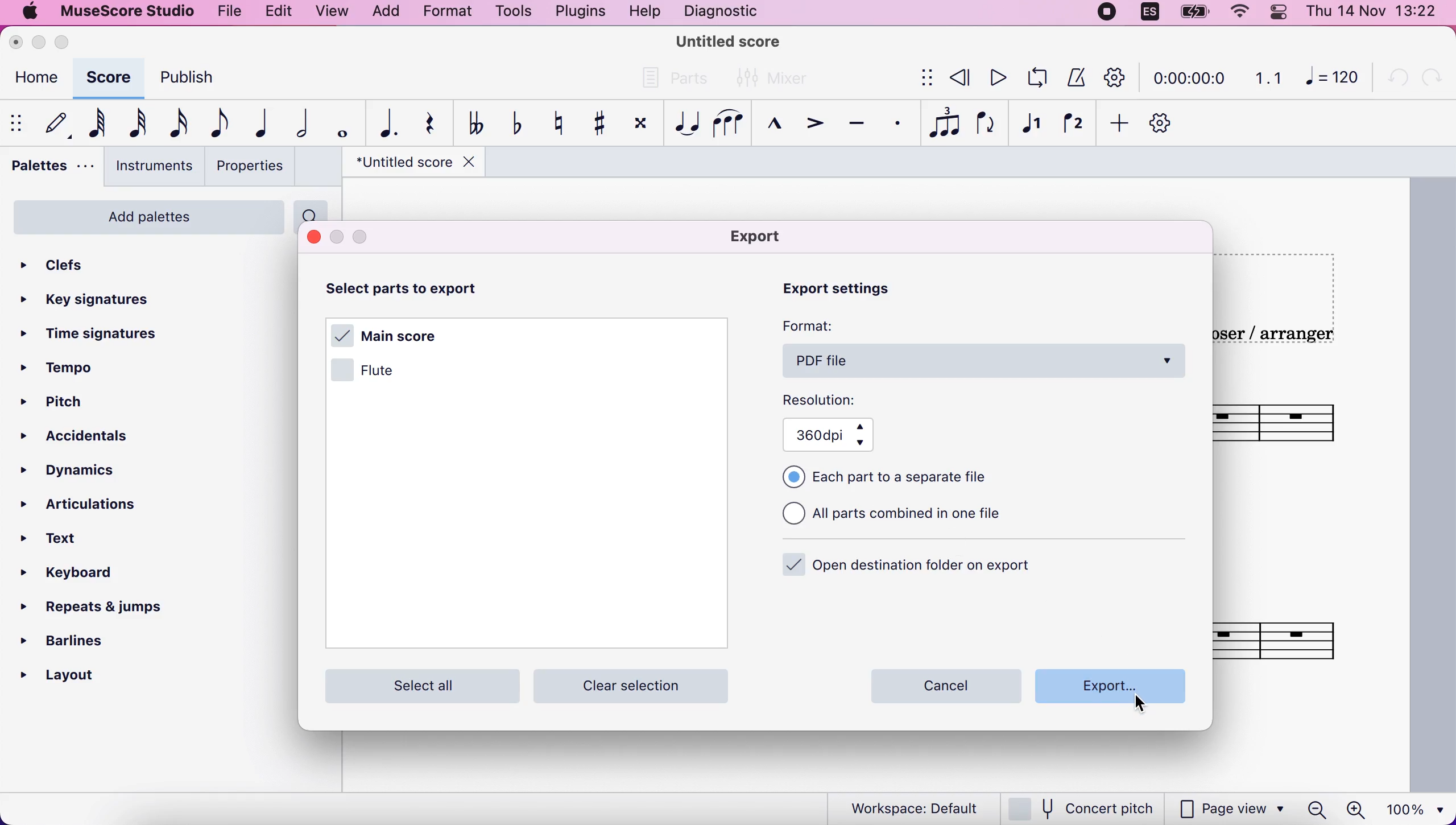 The height and width of the screenshot is (825, 1456). What do you see at coordinates (1280, 14) in the screenshot?
I see `panel control` at bounding box center [1280, 14].